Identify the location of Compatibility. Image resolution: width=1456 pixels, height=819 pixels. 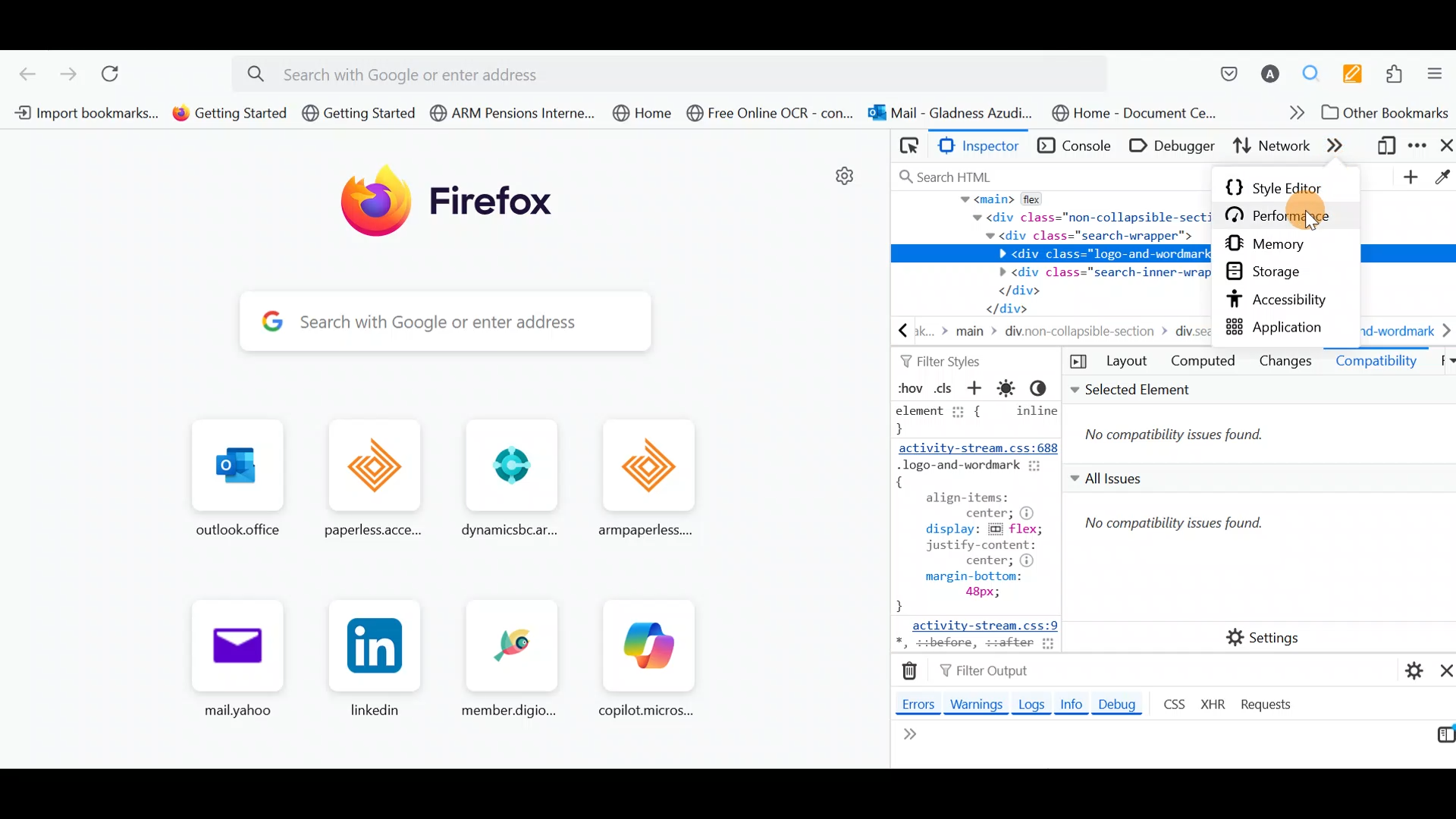
(1377, 365).